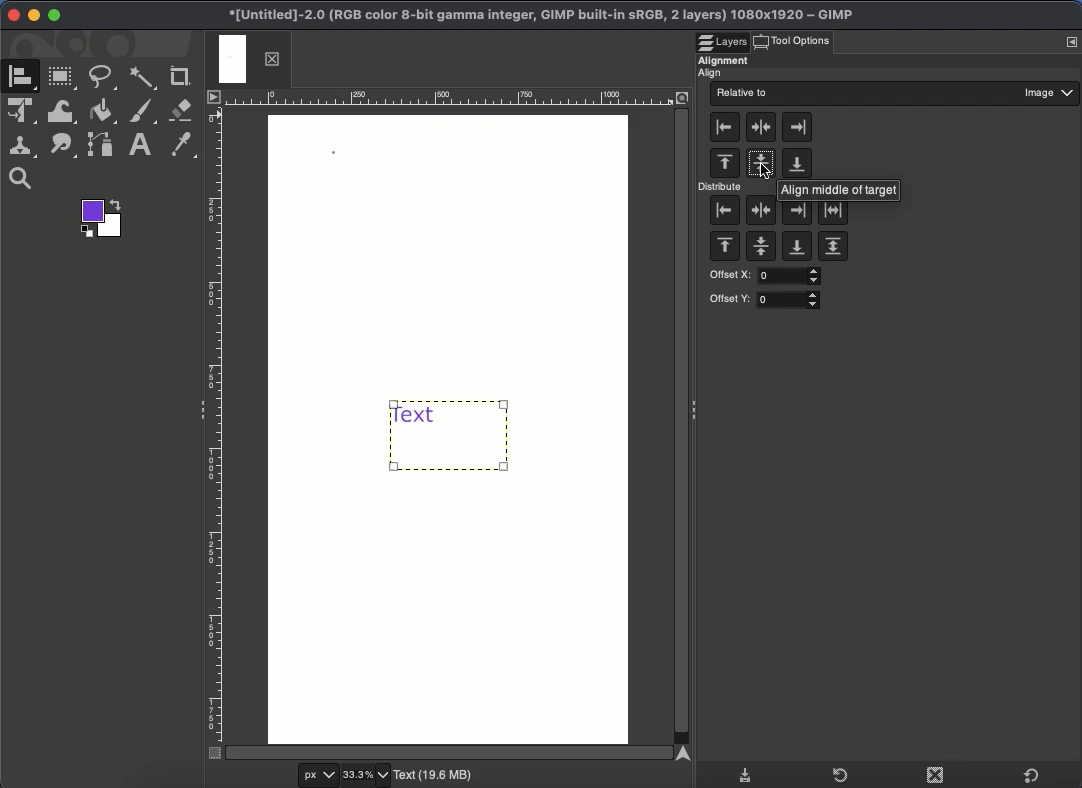 This screenshot has width=1082, height=788. What do you see at coordinates (833, 248) in the screenshot?
I see `Distribute targets evenly in the vertical` at bounding box center [833, 248].